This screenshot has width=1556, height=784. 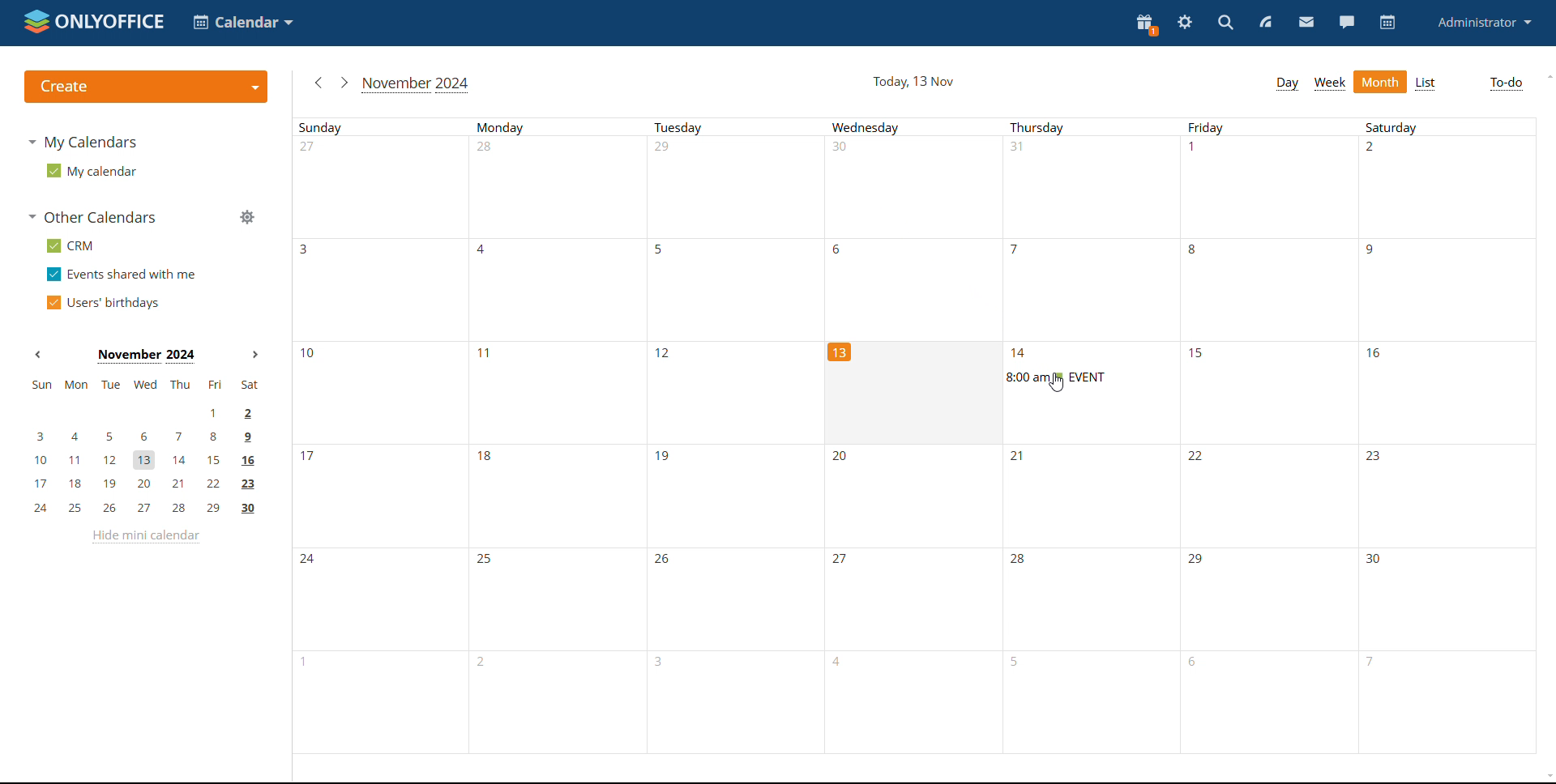 What do you see at coordinates (146, 355) in the screenshot?
I see `current month` at bounding box center [146, 355].